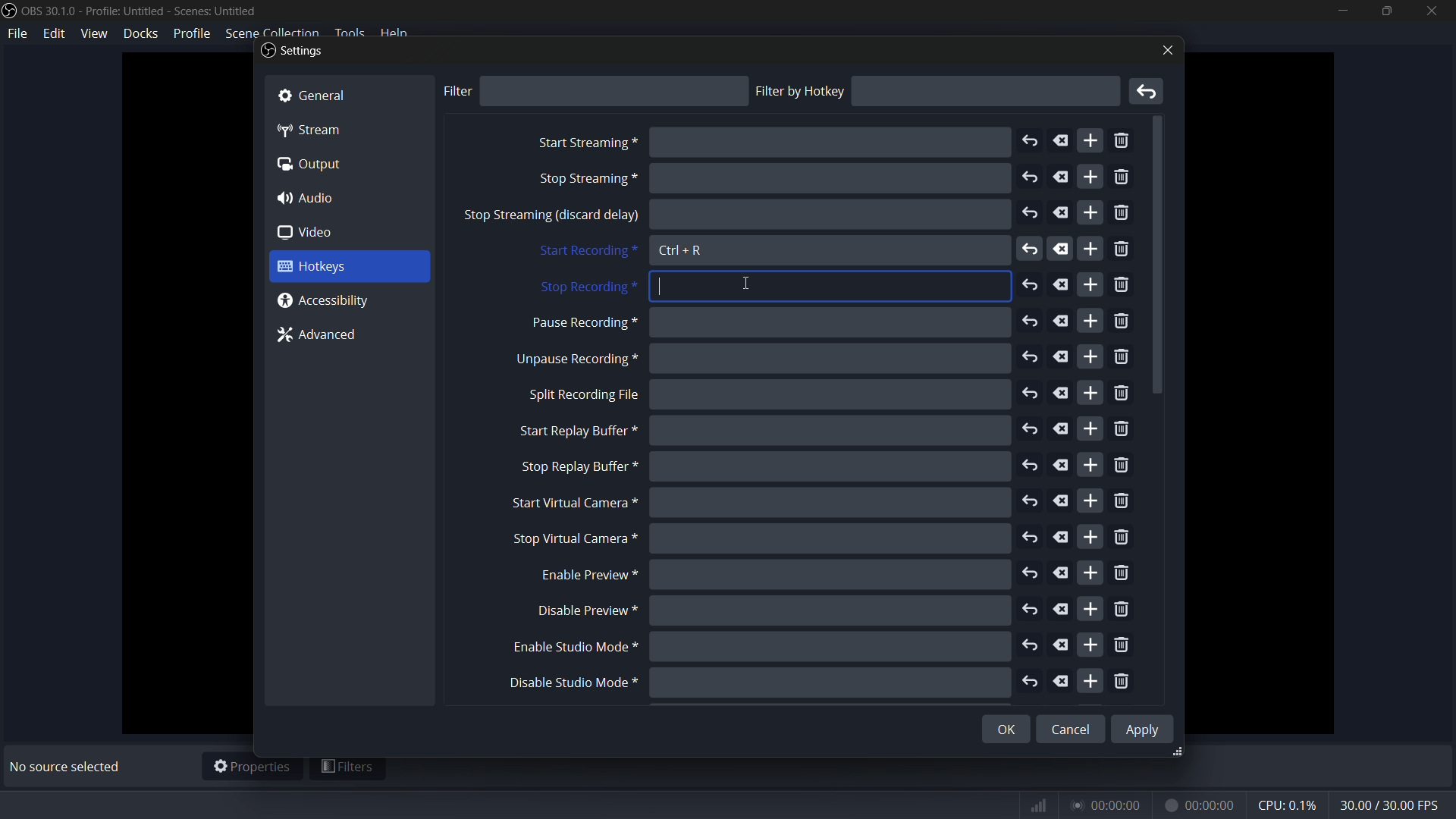 The image size is (1456, 819). Describe the element at coordinates (1031, 501) in the screenshot. I see `undo` at that location.